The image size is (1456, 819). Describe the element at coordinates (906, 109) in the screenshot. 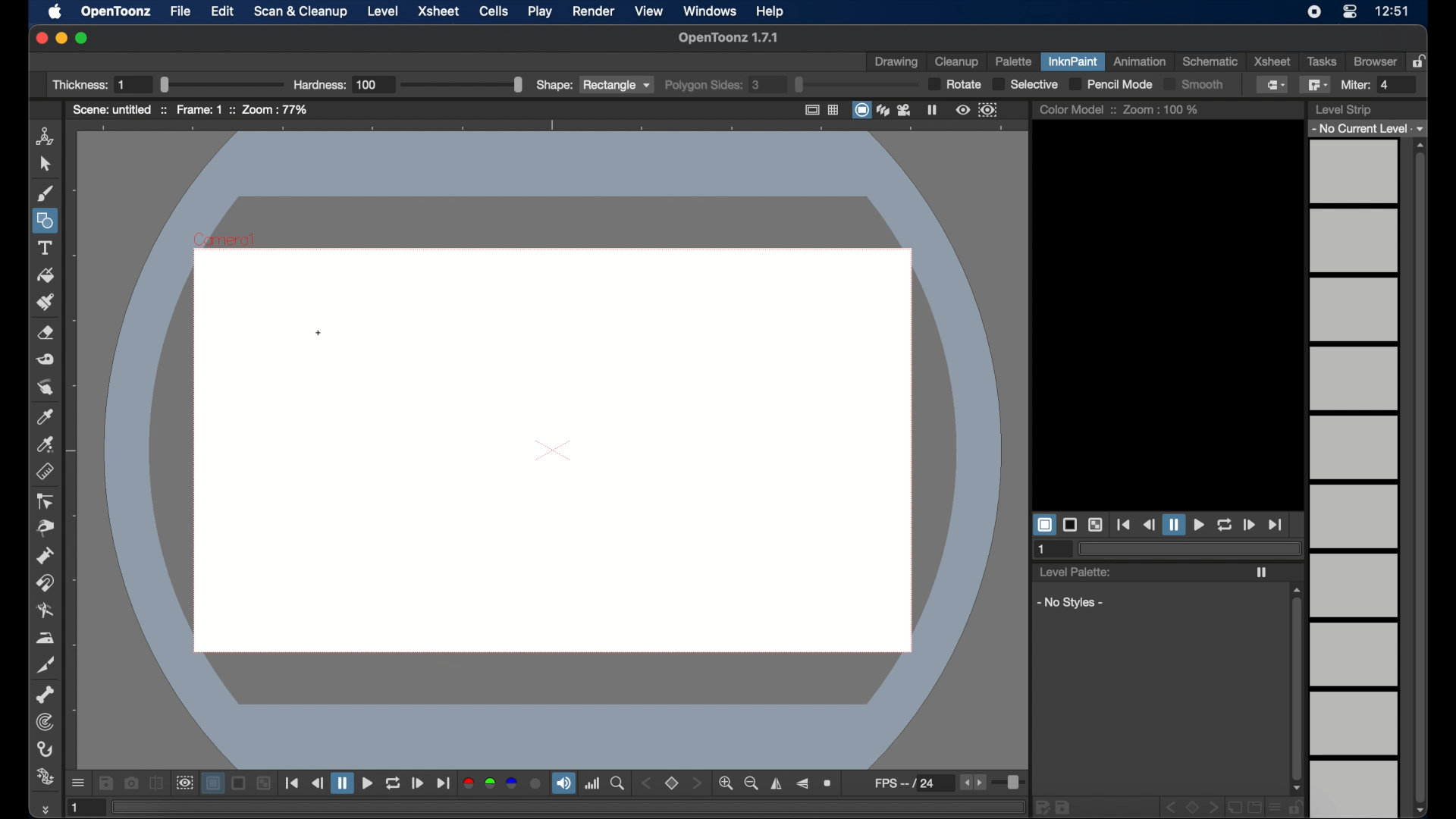

I see `camera` at that location.